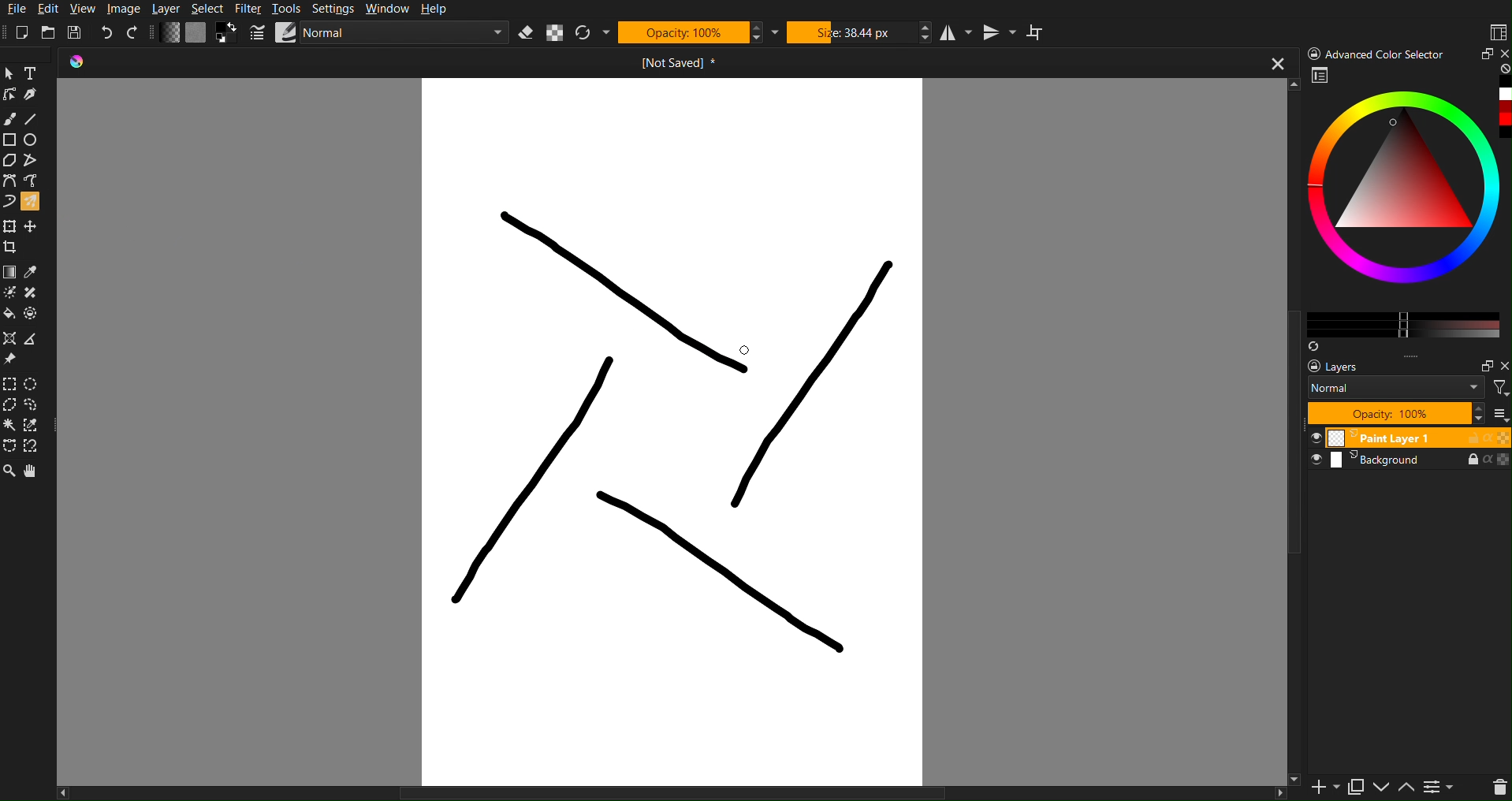 The width and height of the screenshot is (1512, 801). I want to click on Alpha, so click(556, 34).